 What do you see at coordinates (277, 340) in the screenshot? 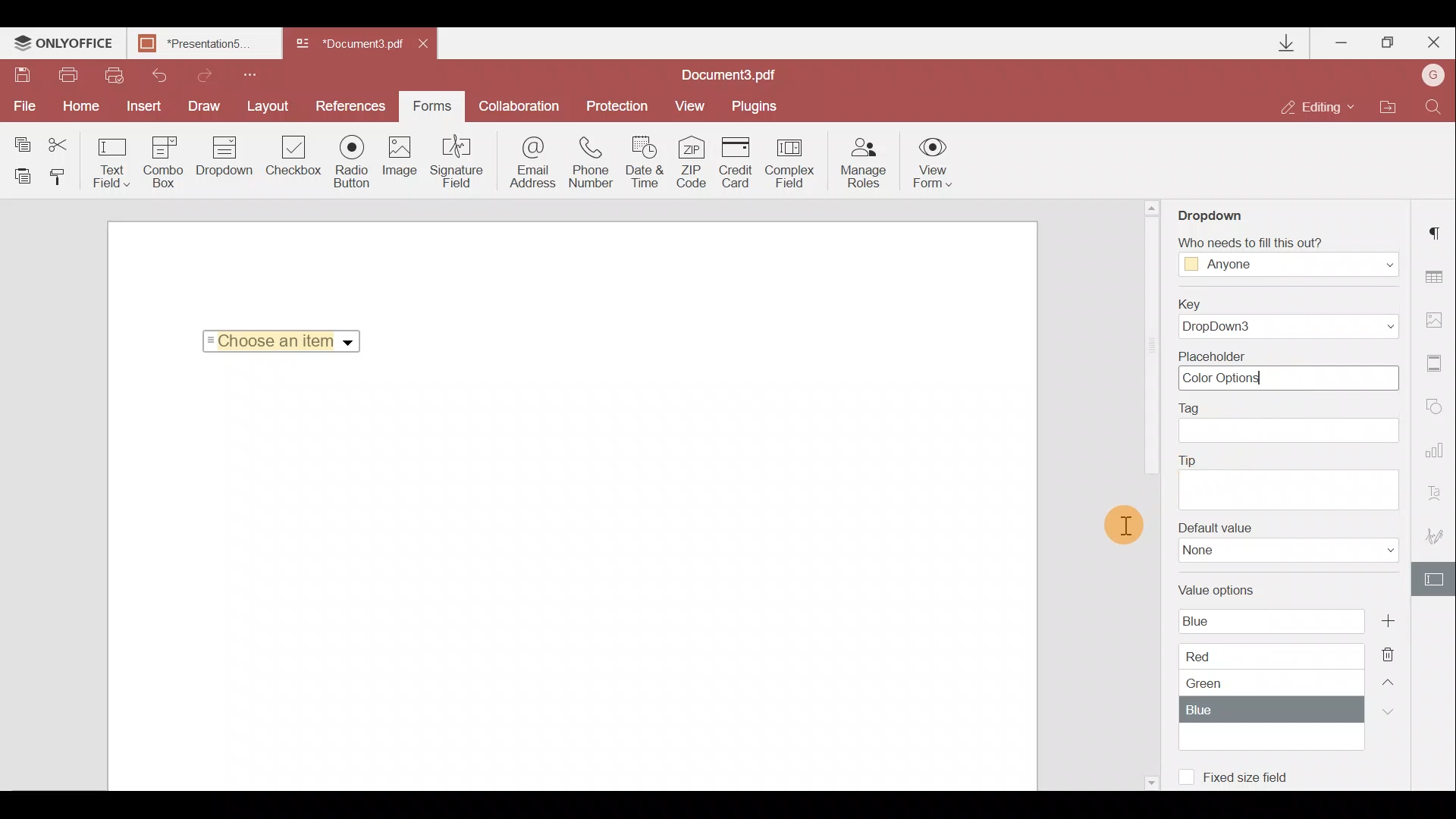
I see `Selected Item` at bounding box center [277, 340].